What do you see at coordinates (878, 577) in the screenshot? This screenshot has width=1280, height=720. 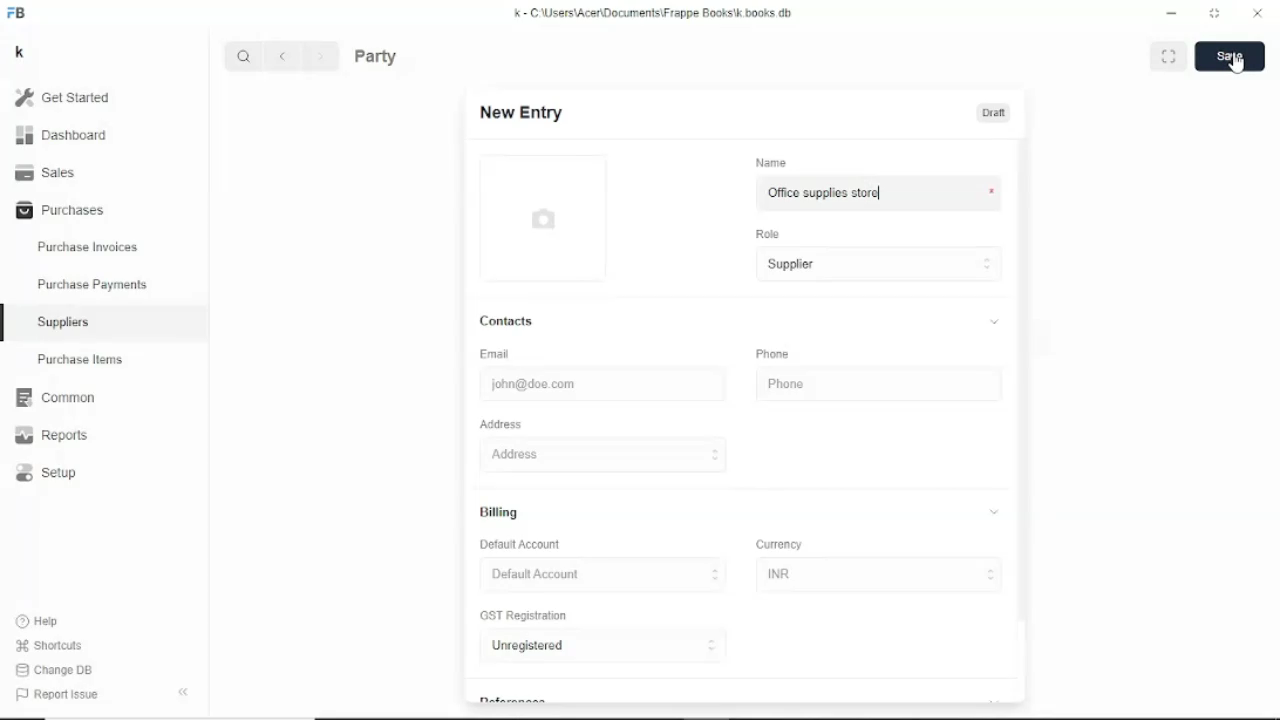 I see `INR` at bounding box center [878, 577].